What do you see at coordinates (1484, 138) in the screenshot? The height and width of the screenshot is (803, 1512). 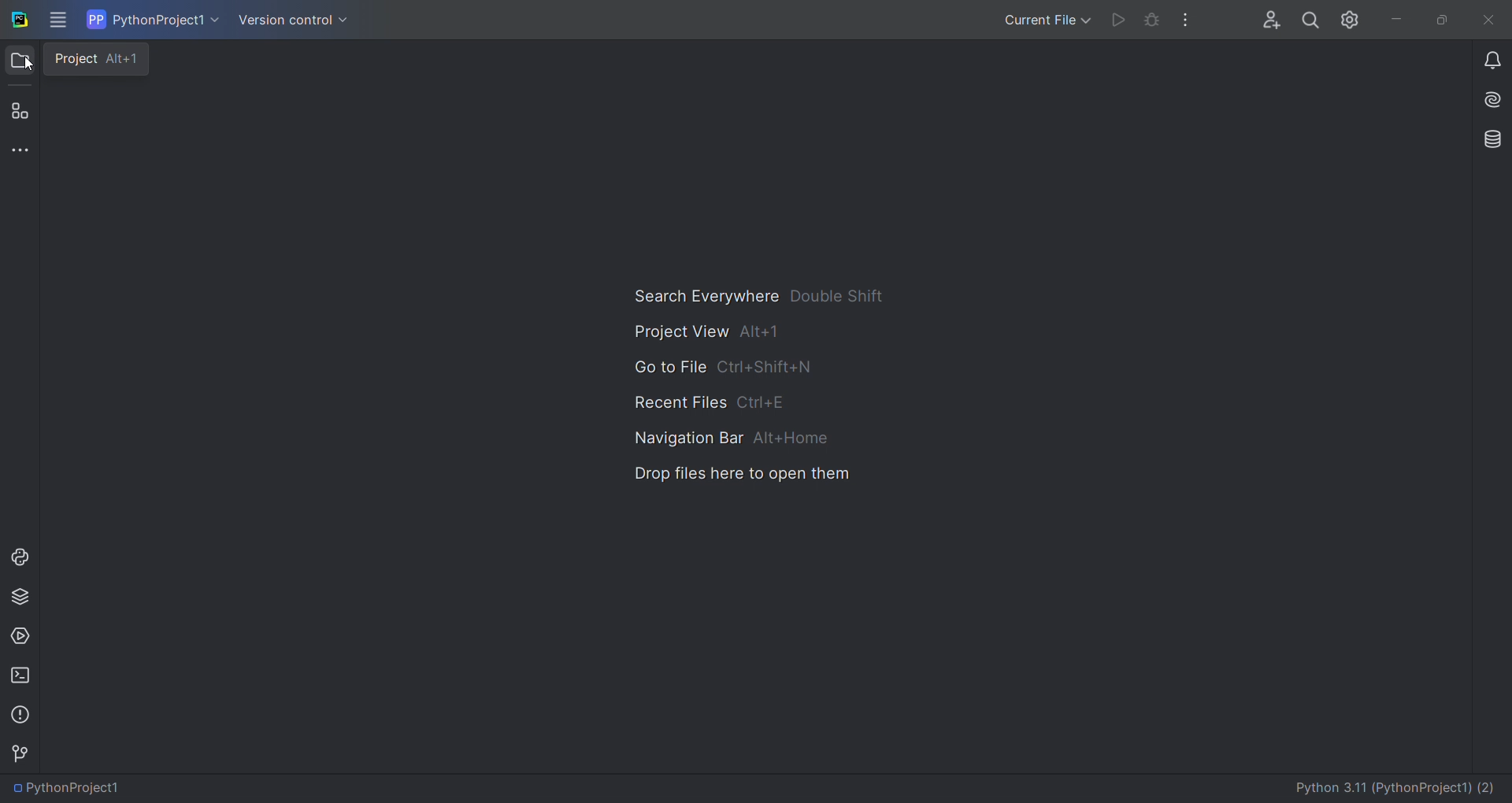 I see `database` at bounding box center [1484, 138].